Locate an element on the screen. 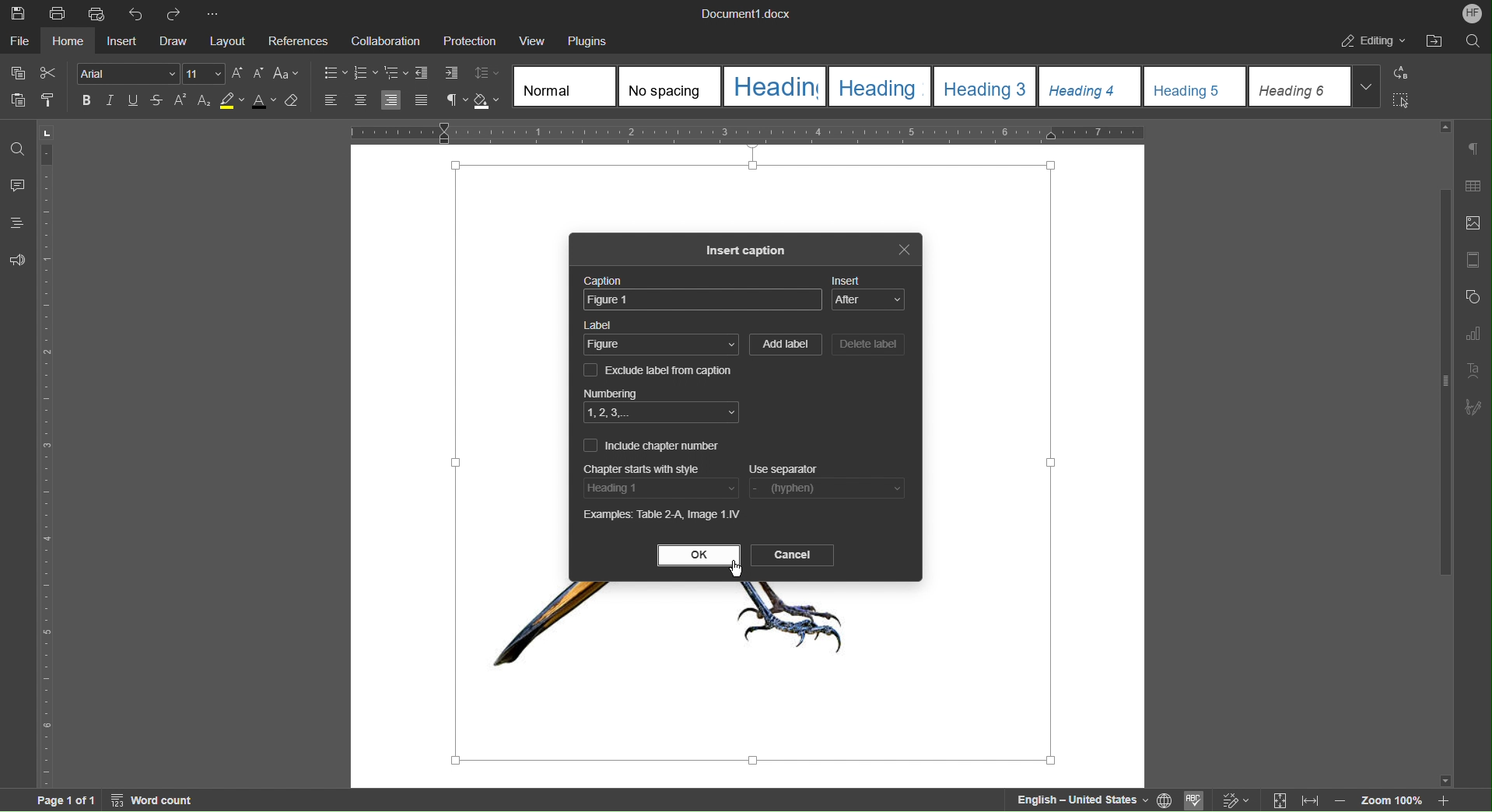 This screenshot has width=1492, height=812. Layout is located at coordinates (228, 43).